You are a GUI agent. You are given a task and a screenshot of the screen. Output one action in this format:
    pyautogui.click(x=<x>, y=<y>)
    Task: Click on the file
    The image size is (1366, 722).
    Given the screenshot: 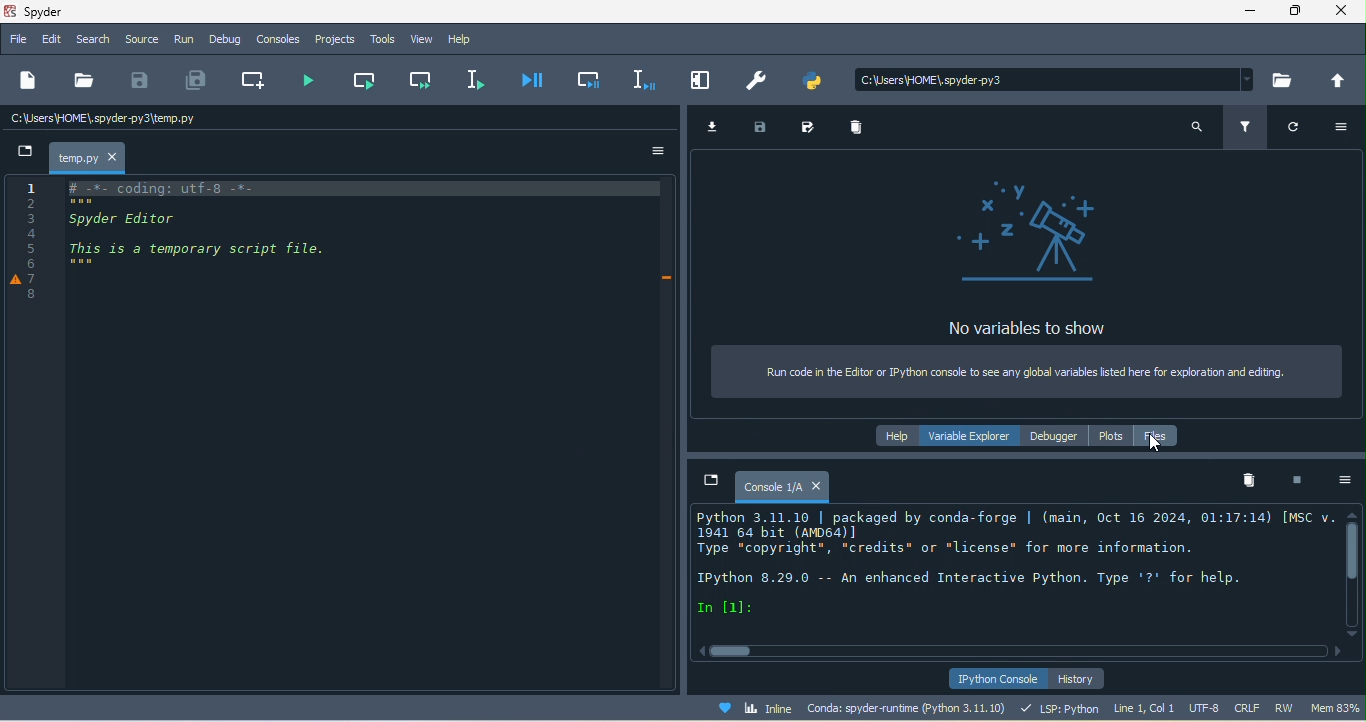 What is the action you would take?
    pyautogui.click(x=15, y=42)
    